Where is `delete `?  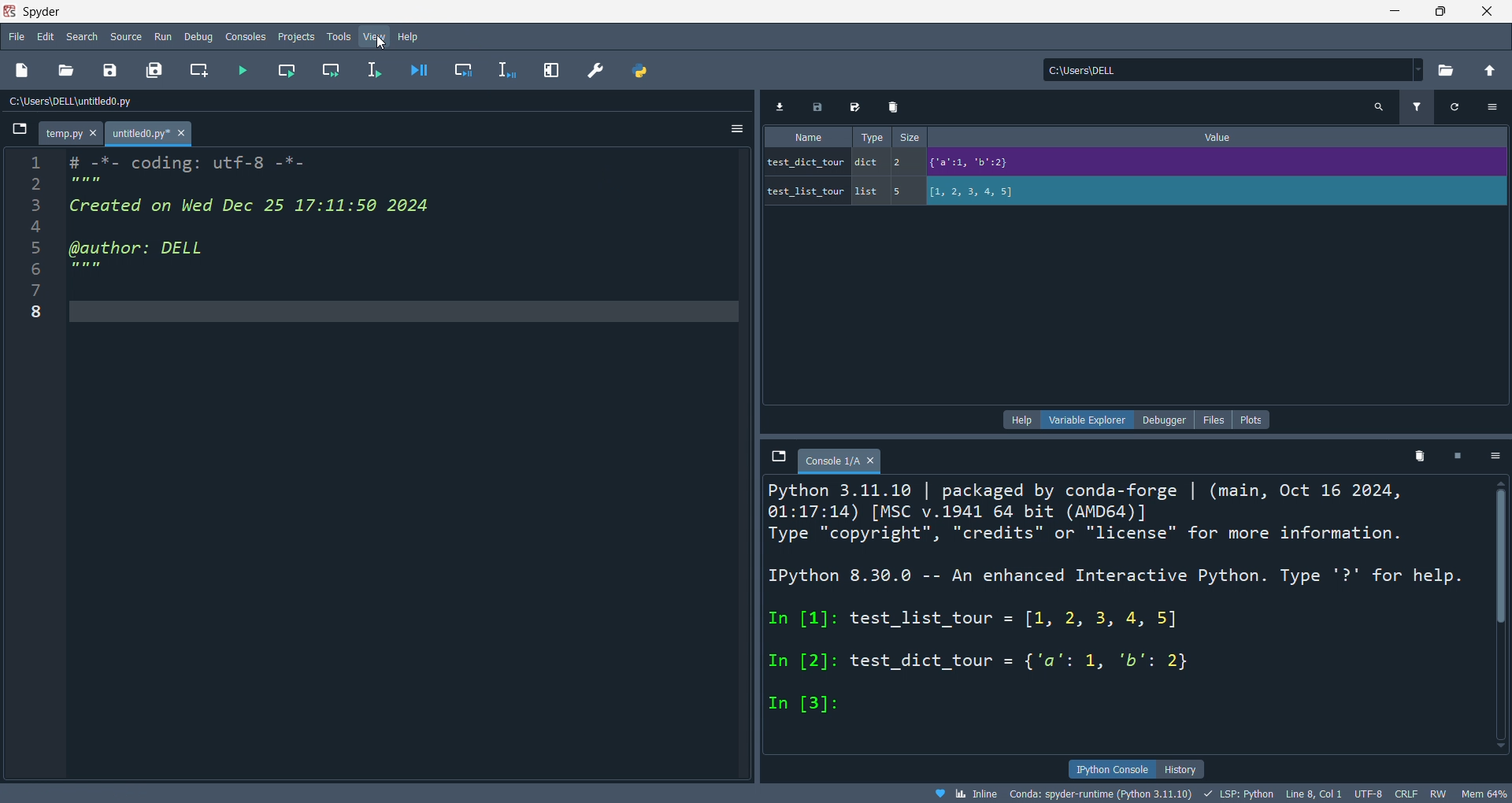
delete  is located at coordinates (1421, 460).